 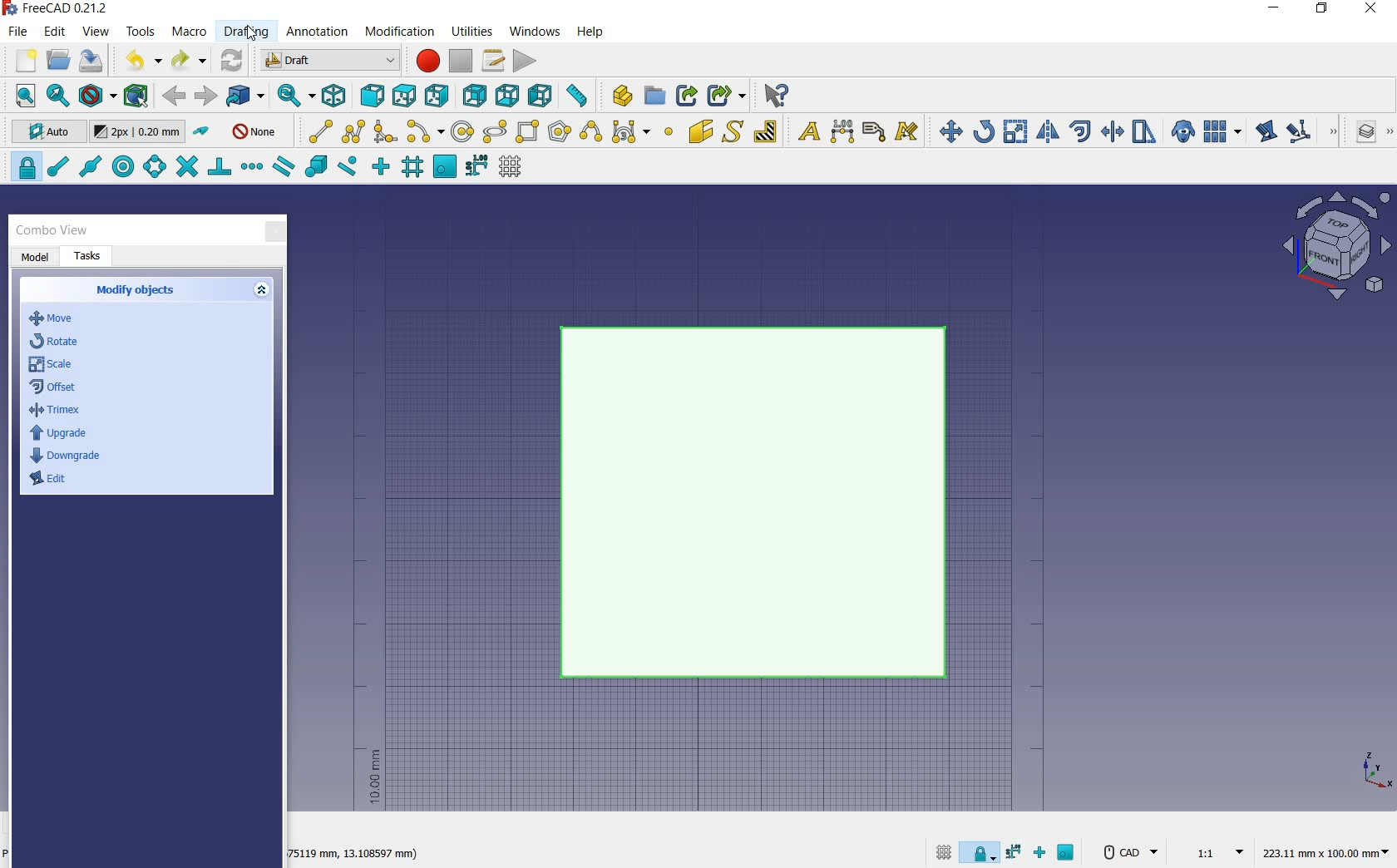 I want to click on mirror, so click(x=1046, y=133).